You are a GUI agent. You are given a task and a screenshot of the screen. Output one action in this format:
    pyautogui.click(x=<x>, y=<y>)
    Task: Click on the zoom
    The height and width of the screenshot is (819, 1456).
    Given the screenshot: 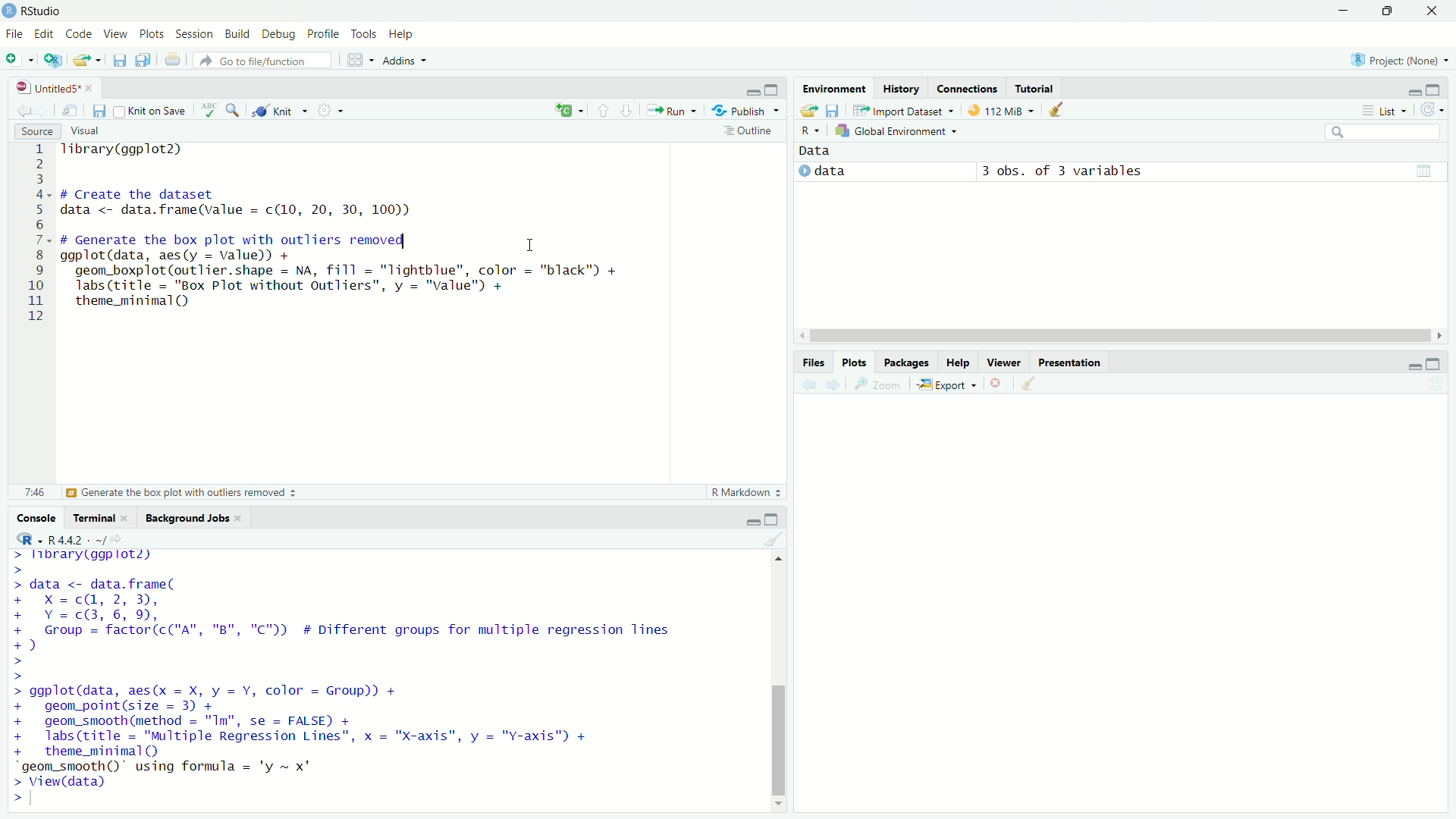 What is the action you would take?
    pyautogui.click(x=234, y=108)
    